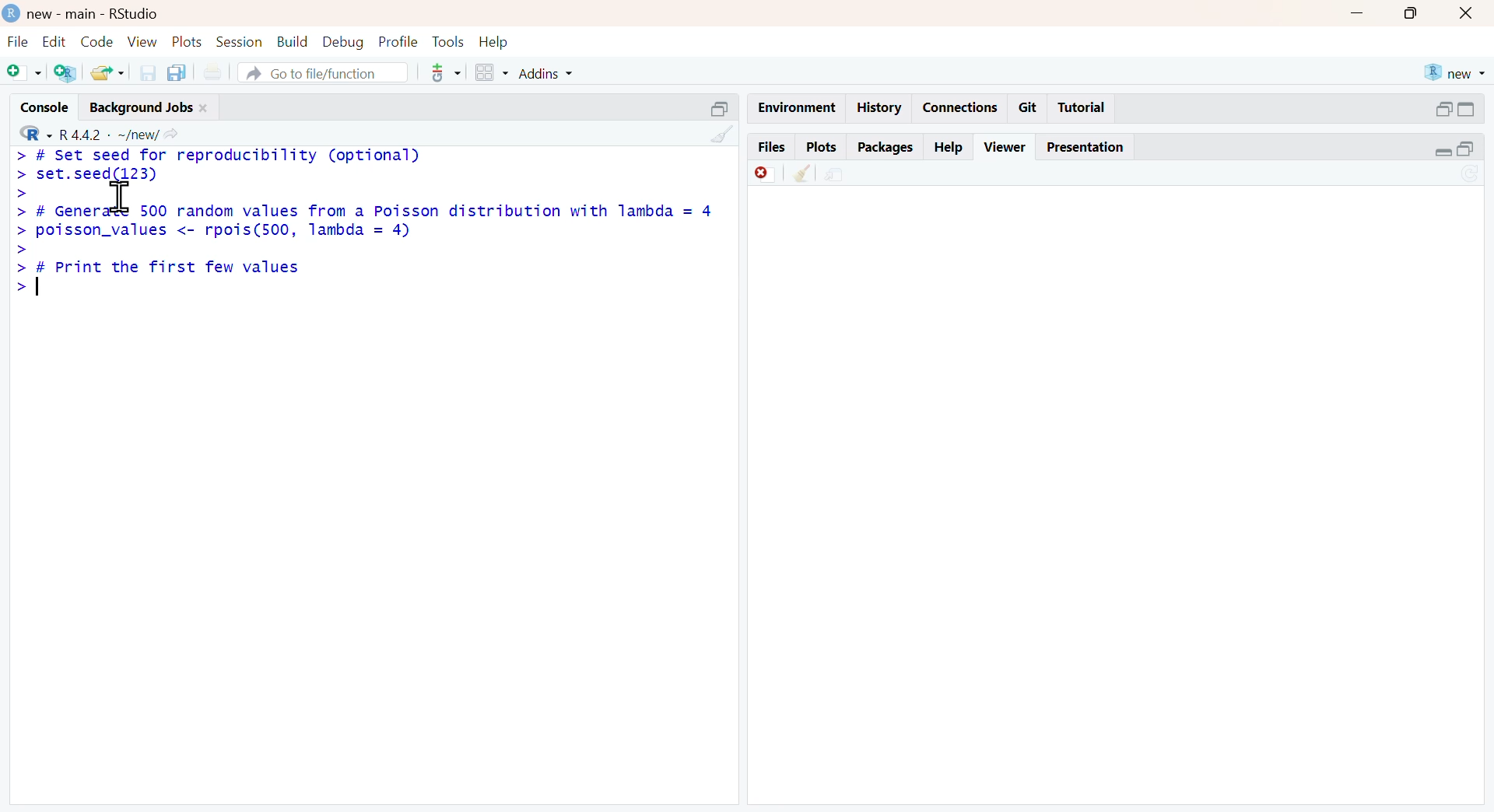 The width and height of the screenshot is (1494, 812). Describe the element at coordinates (1029, 107) in the screenshot. I see `git` at that location.